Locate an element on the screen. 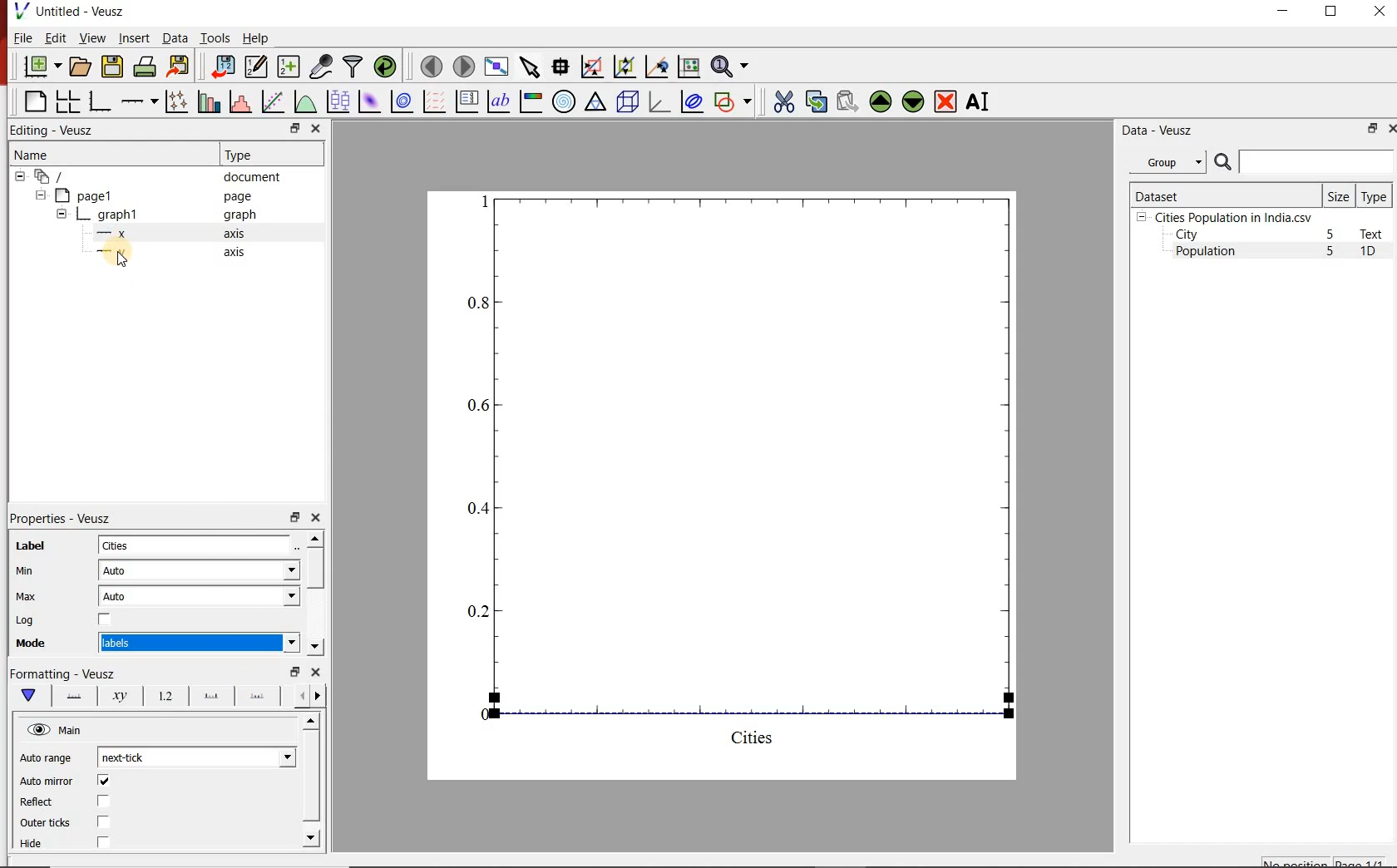  plot key is located at coordinates (466, 101).